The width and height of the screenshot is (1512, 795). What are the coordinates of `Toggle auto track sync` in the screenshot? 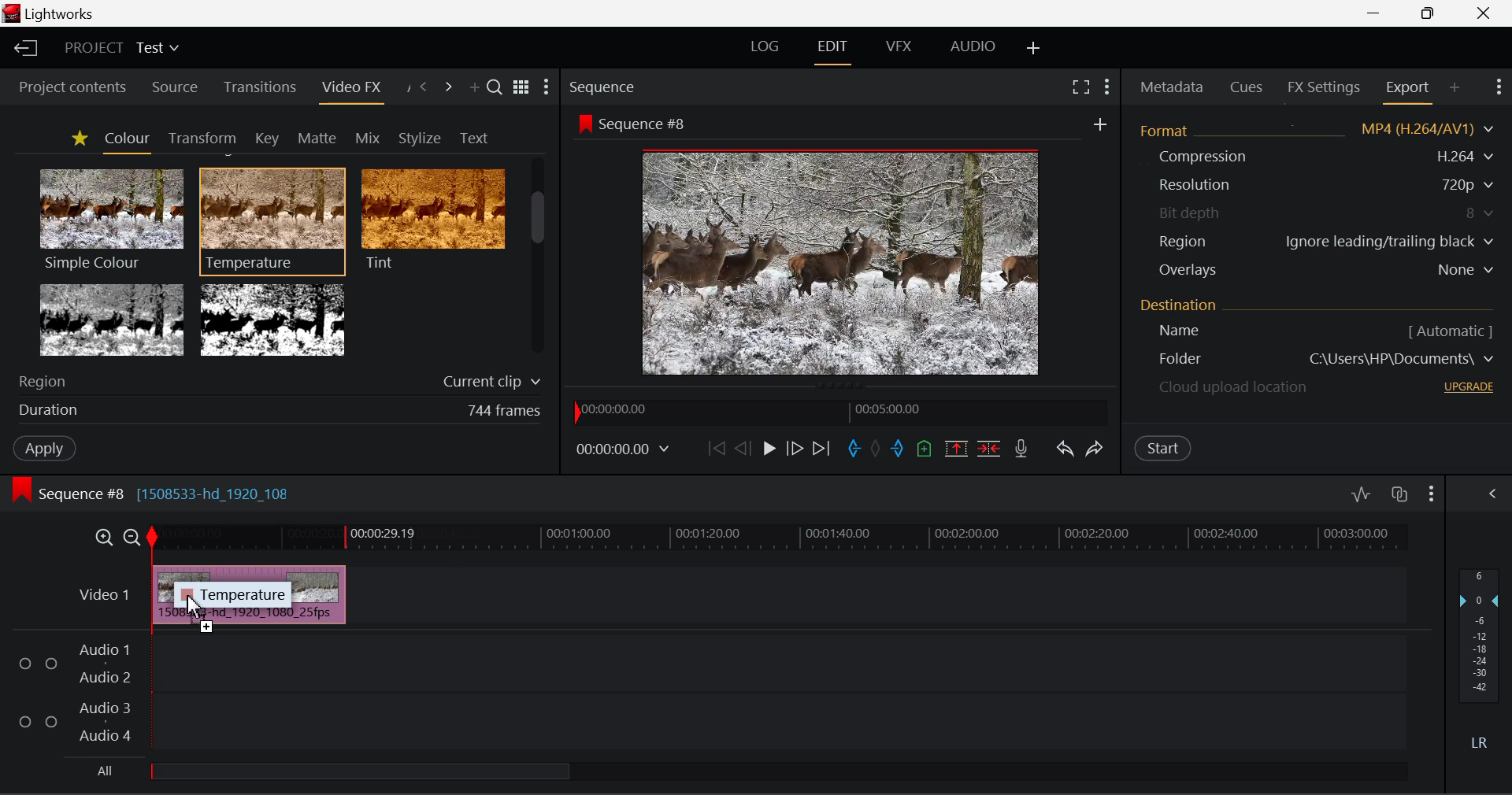 It's located at (1399, 494).